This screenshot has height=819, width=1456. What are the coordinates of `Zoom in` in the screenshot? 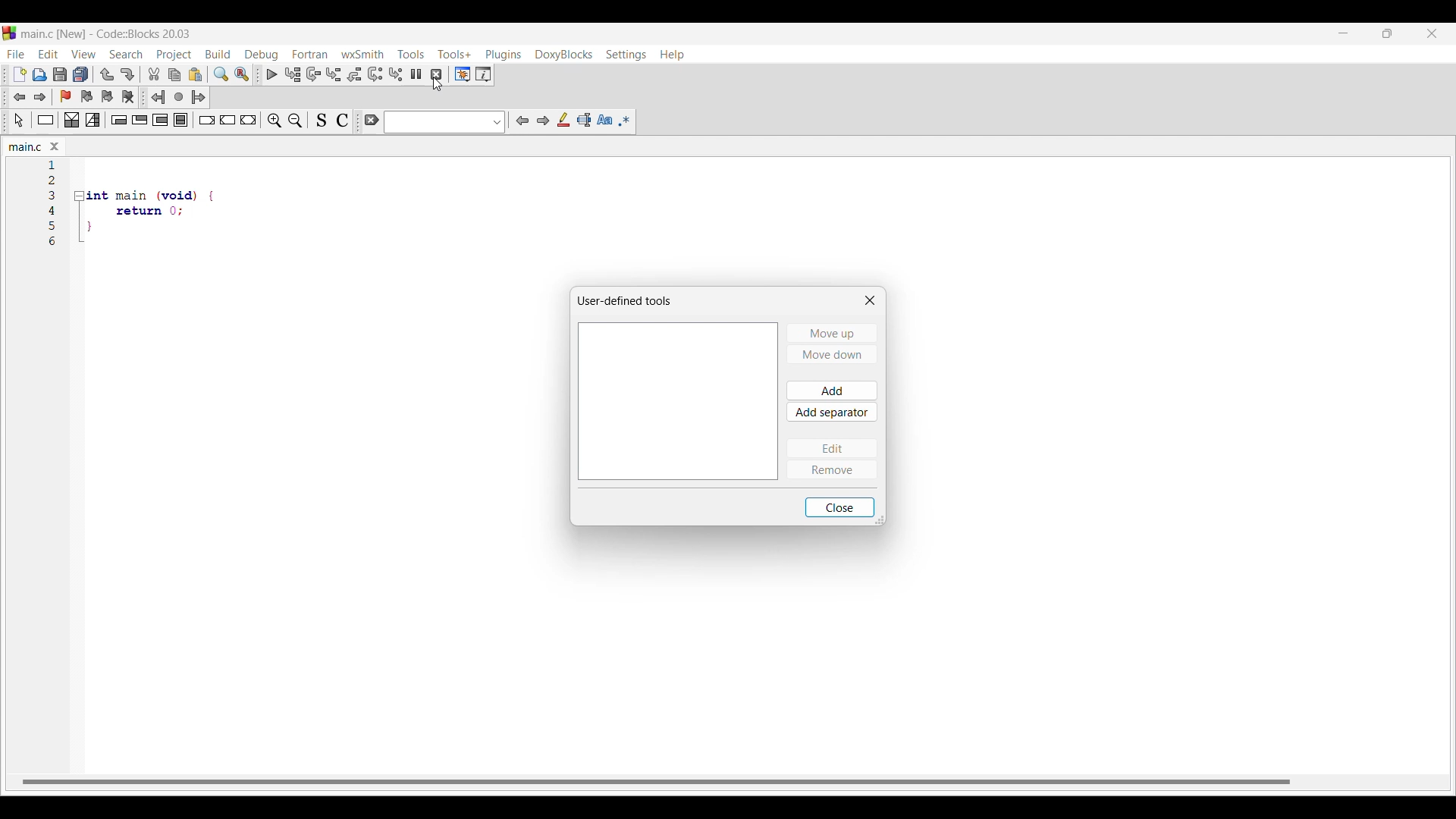 It's located at (275, 122).